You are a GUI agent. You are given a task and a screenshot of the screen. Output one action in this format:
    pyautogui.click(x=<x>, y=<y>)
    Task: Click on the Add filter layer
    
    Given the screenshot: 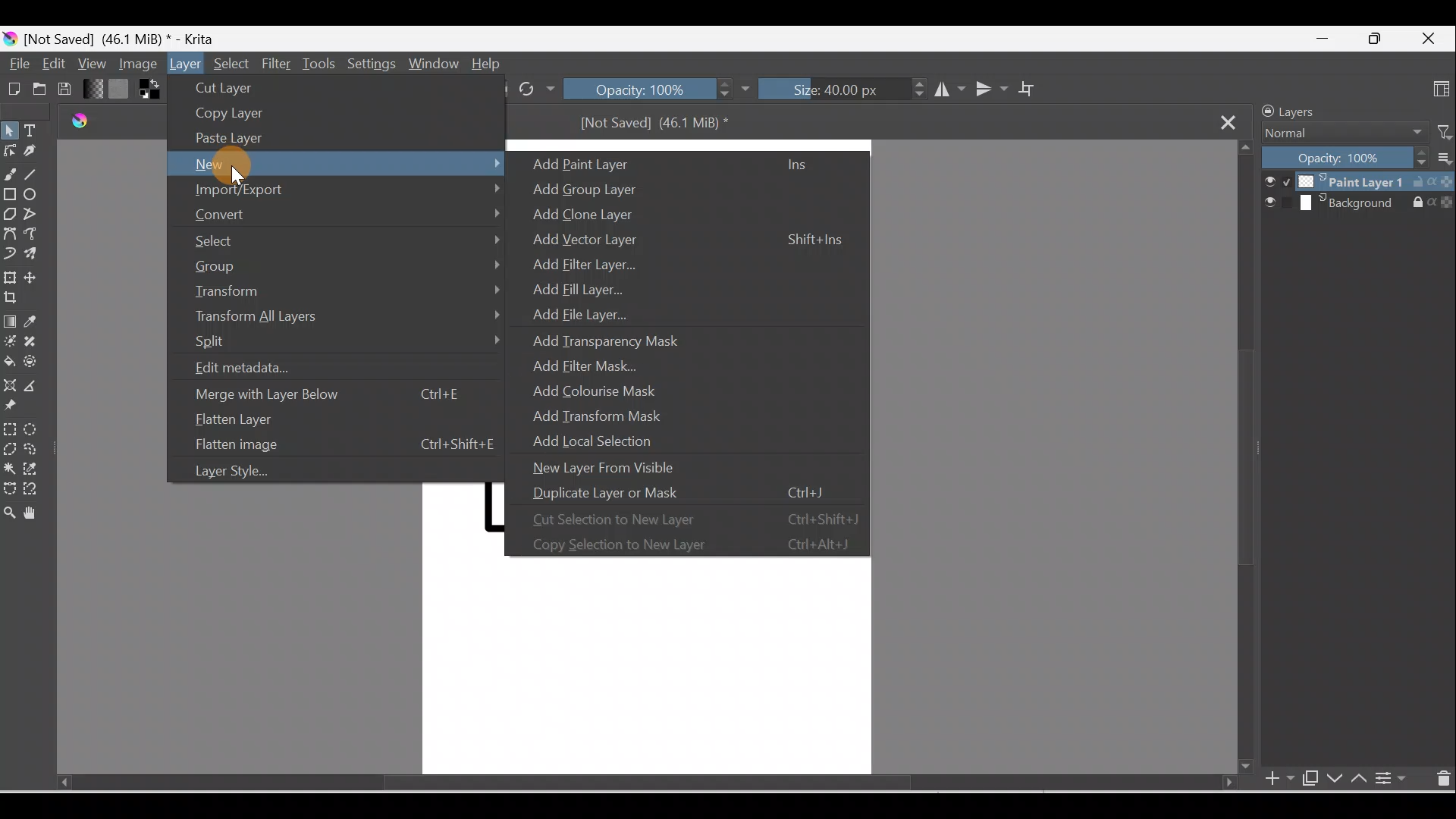 What is the action you would take?
    pyautogui.click(x=581, y=262)
    